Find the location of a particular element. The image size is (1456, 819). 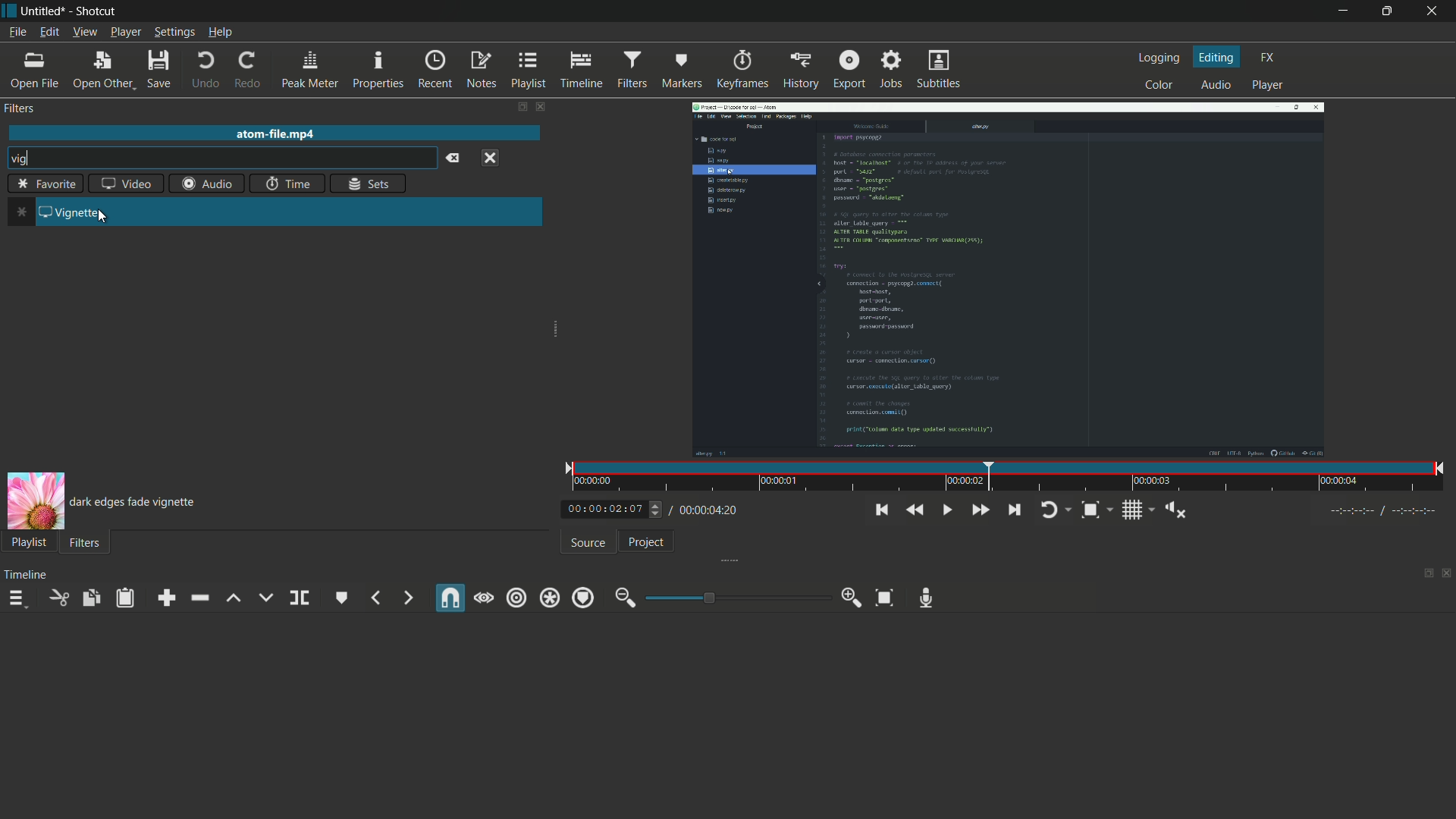

undo is located at coordinates (206, 70).